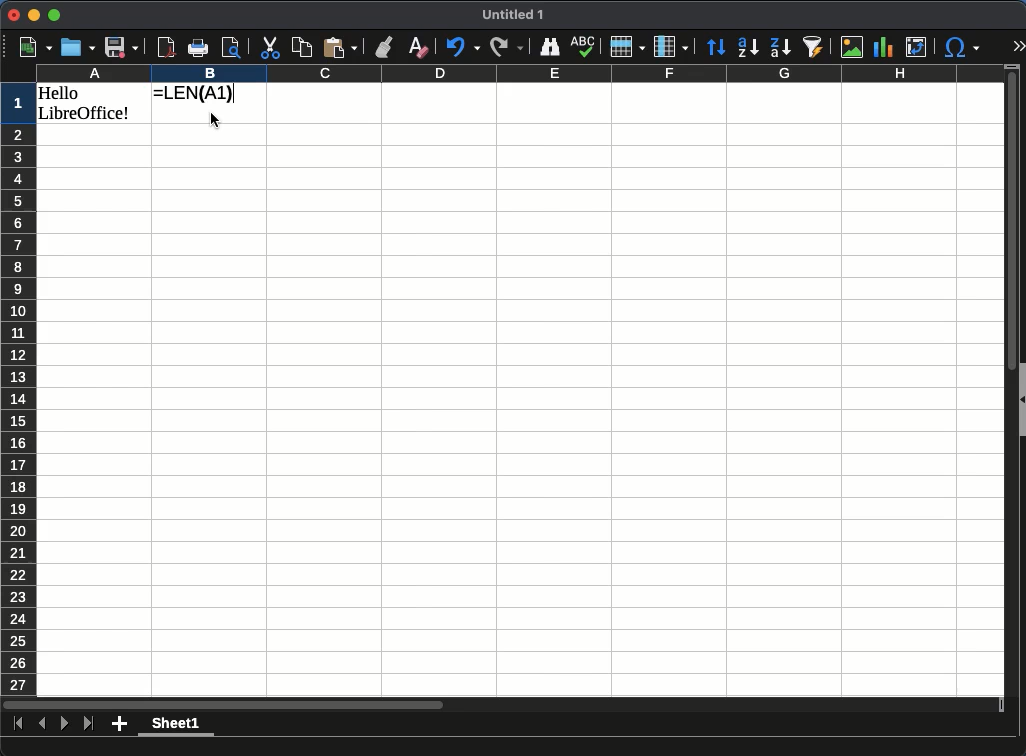 The width and height of the screenshot is (1026, 756). What do you see at coordinates (851, 47) in the screenshot?
I see `image` at bounding box center [851, 47].